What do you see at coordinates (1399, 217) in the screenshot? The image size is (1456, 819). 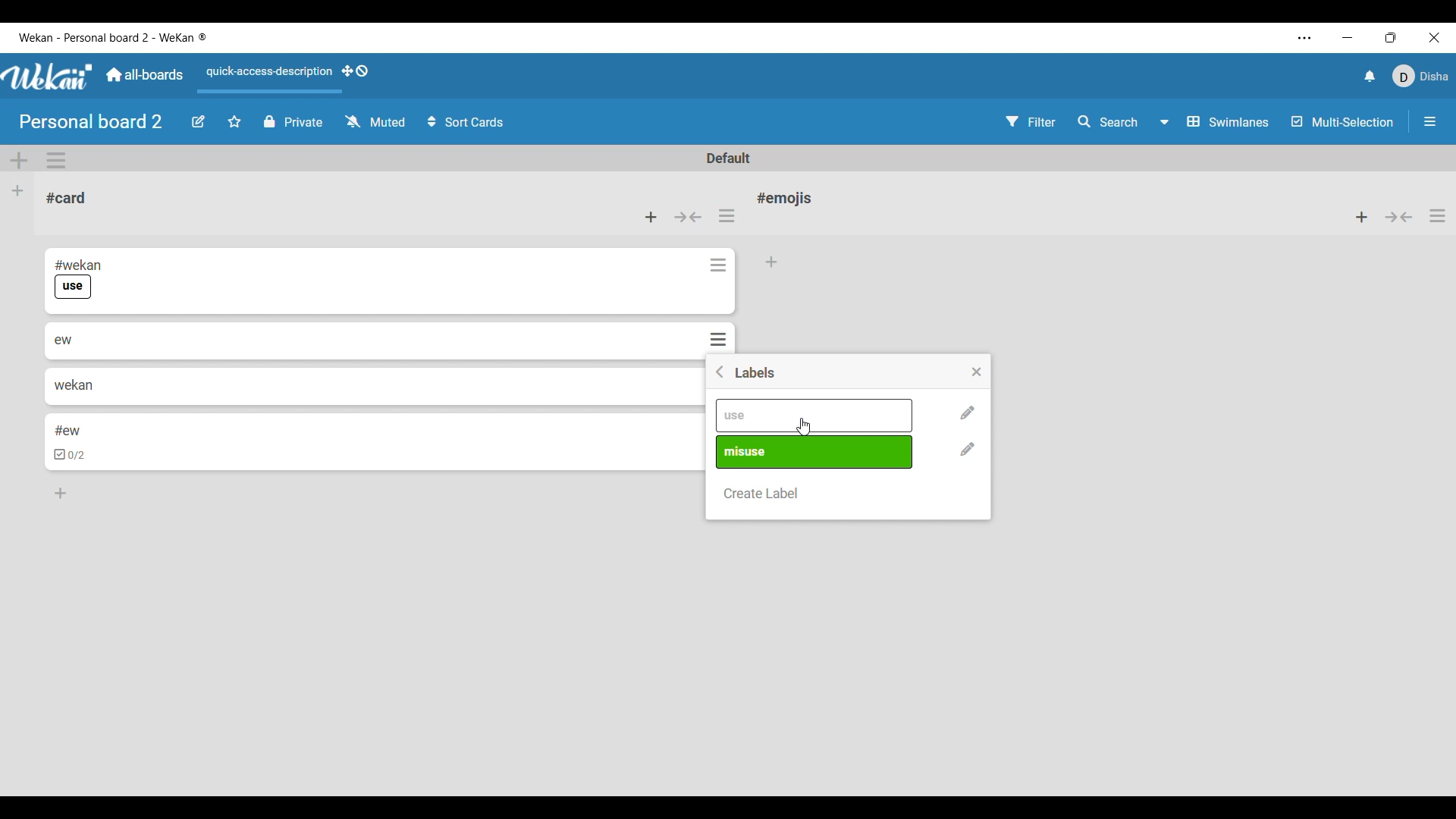 I see `Collapse` at bounding box center [1399, 217].